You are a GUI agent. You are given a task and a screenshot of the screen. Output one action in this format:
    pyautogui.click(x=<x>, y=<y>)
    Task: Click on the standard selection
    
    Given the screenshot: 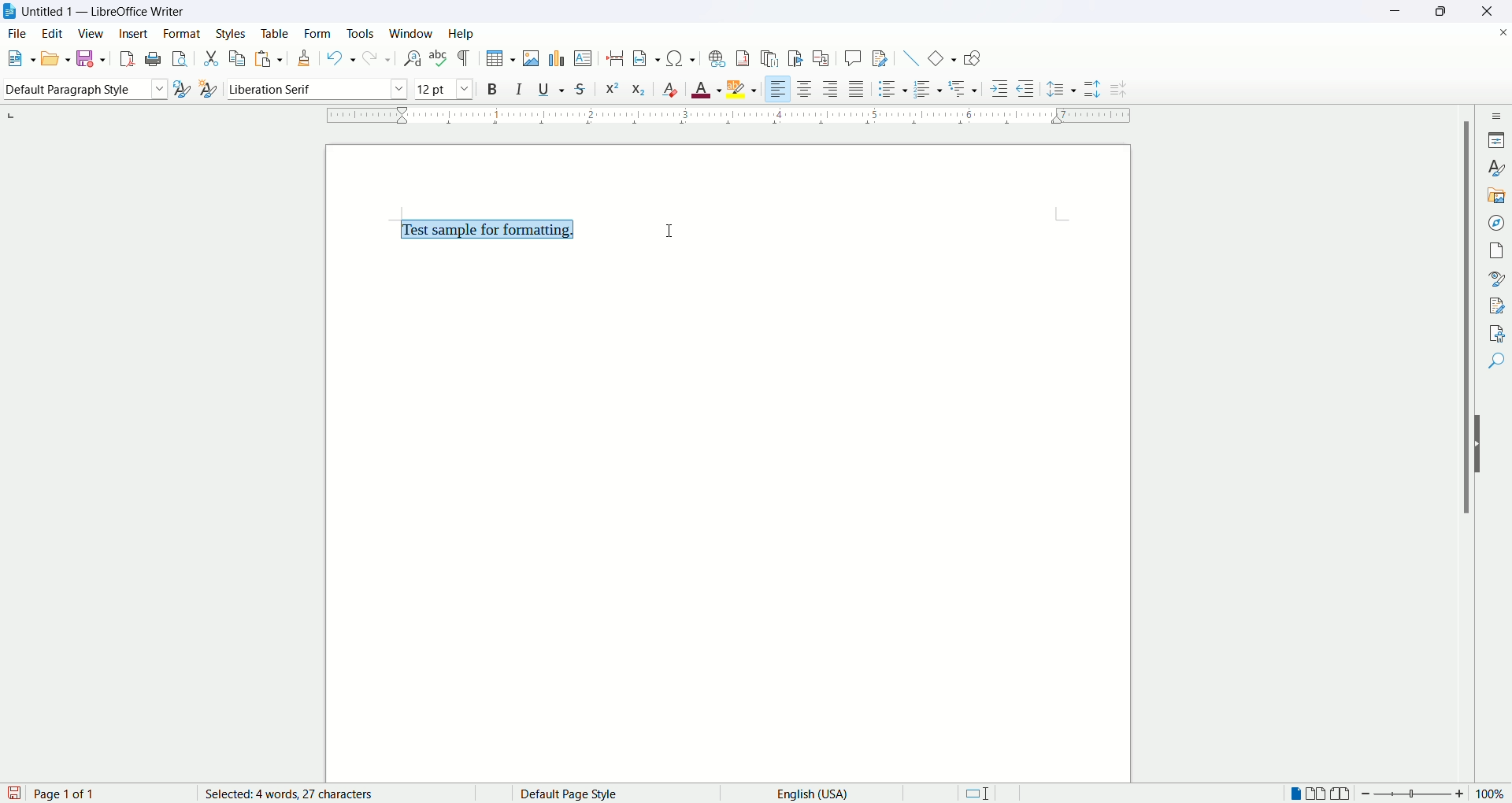 What is the action you would take?
    pyautogui.click(x=988, y=794)
    